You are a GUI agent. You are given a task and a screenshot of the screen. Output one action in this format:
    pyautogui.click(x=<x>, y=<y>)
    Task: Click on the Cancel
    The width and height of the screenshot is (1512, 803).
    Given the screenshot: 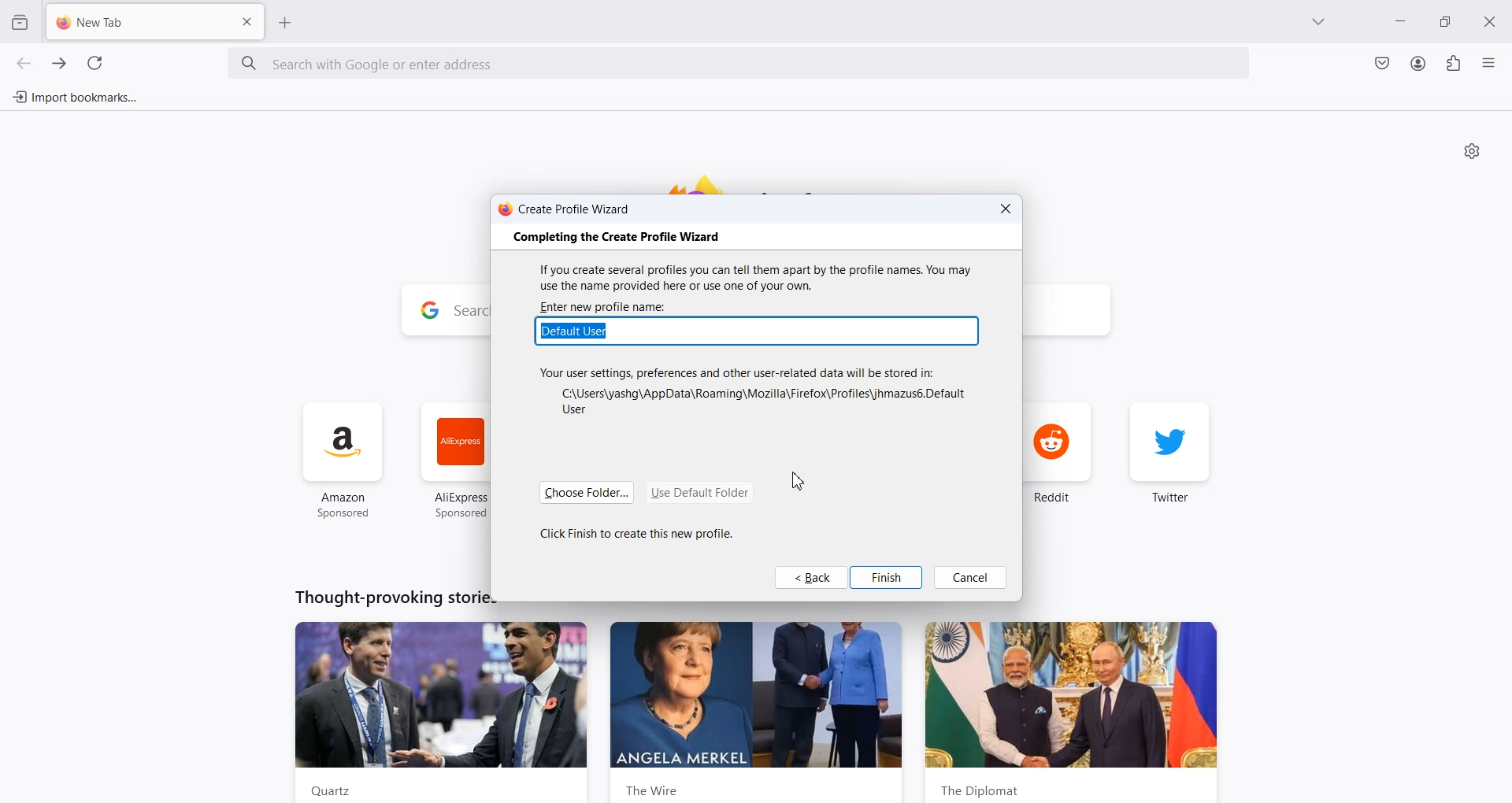 What is the action you would take?
    pyautogui.click(x=970, y=577)
    